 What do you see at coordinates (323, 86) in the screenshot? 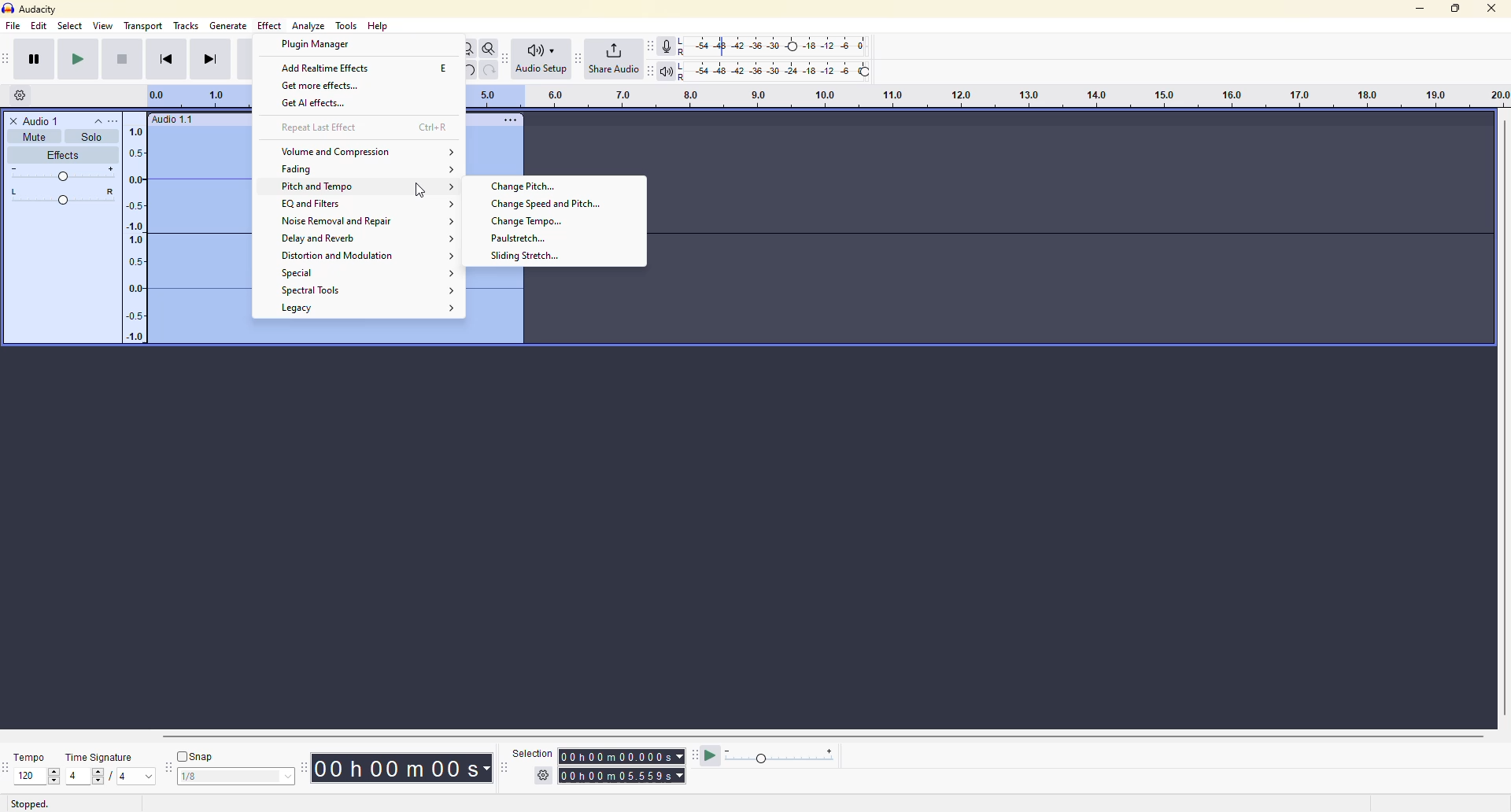
I see `get more effects` at bounding box center [323, 86].